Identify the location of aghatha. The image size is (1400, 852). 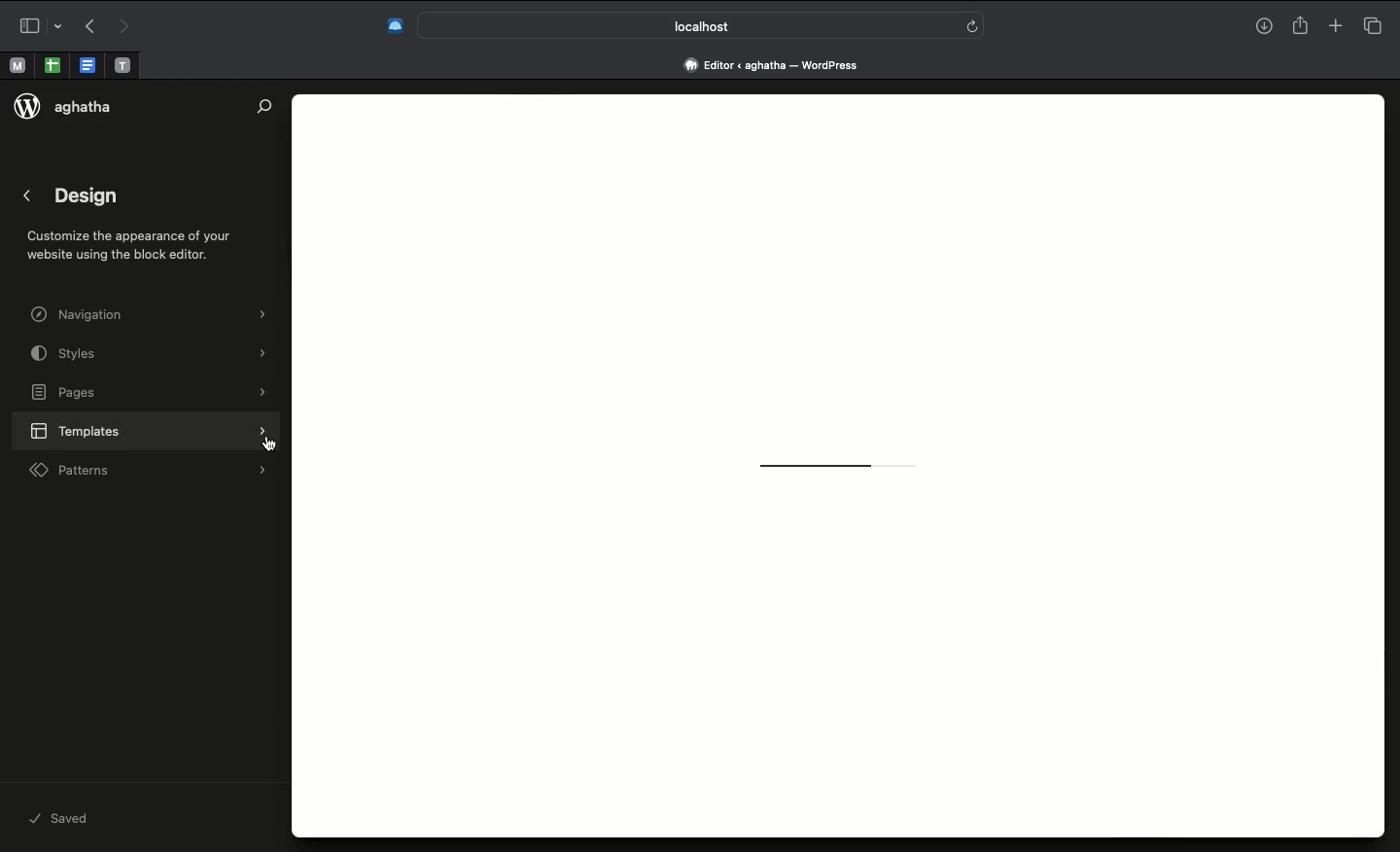
(87, 108).